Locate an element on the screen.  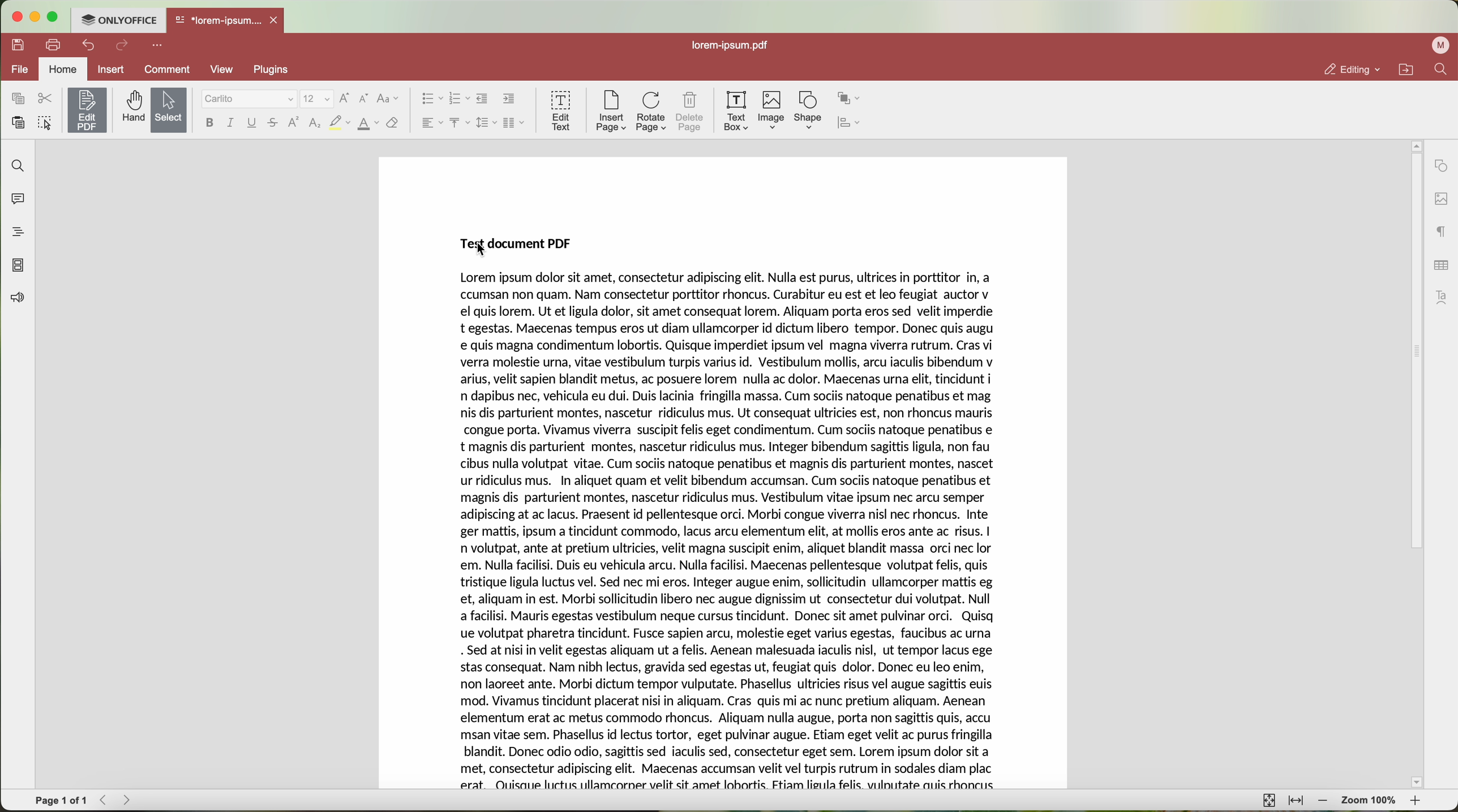
zoom in is located at coordinates (1418, 800).